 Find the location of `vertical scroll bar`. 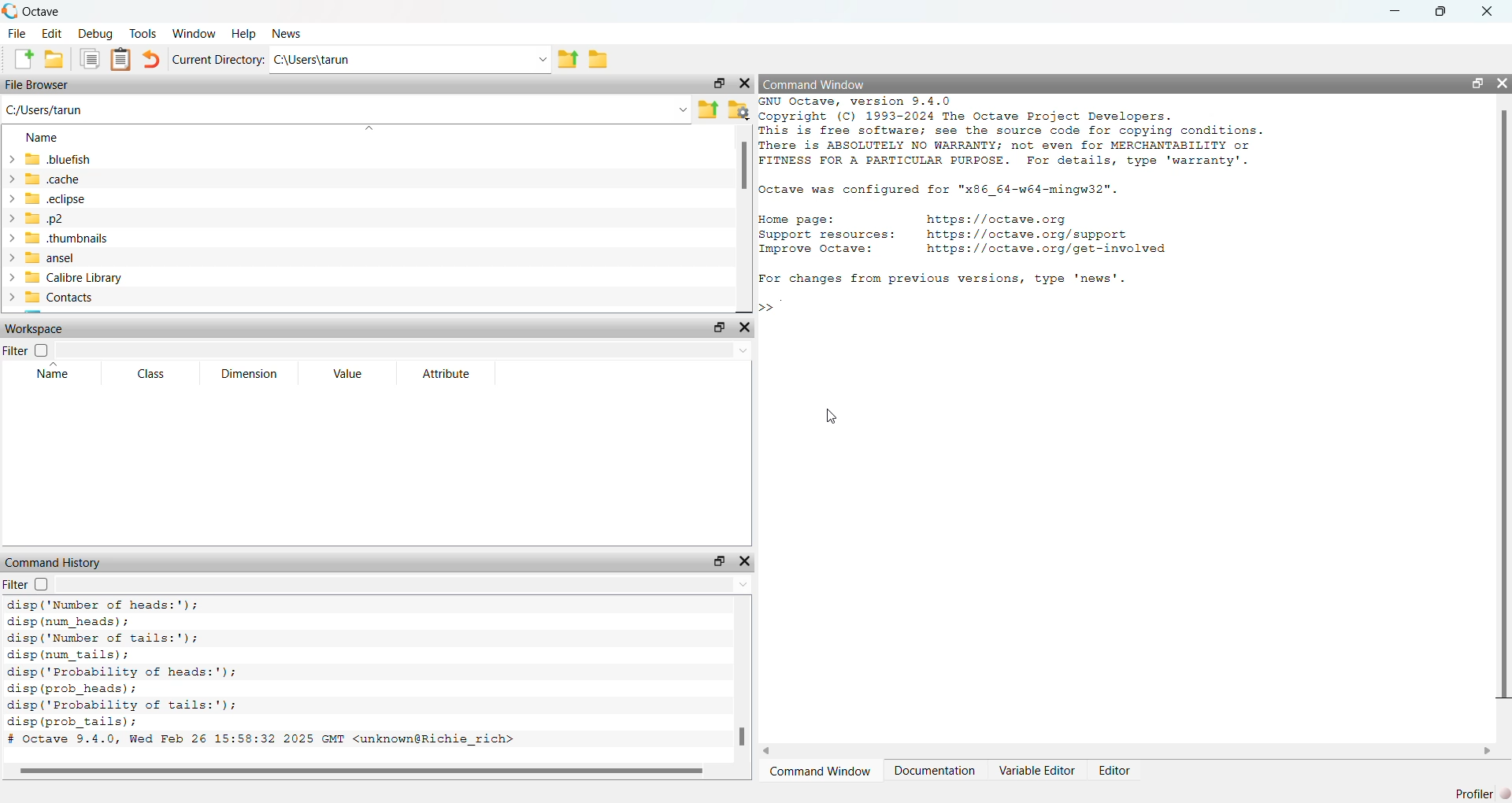

vertical scroll bar is located at coordinates (743, 219).